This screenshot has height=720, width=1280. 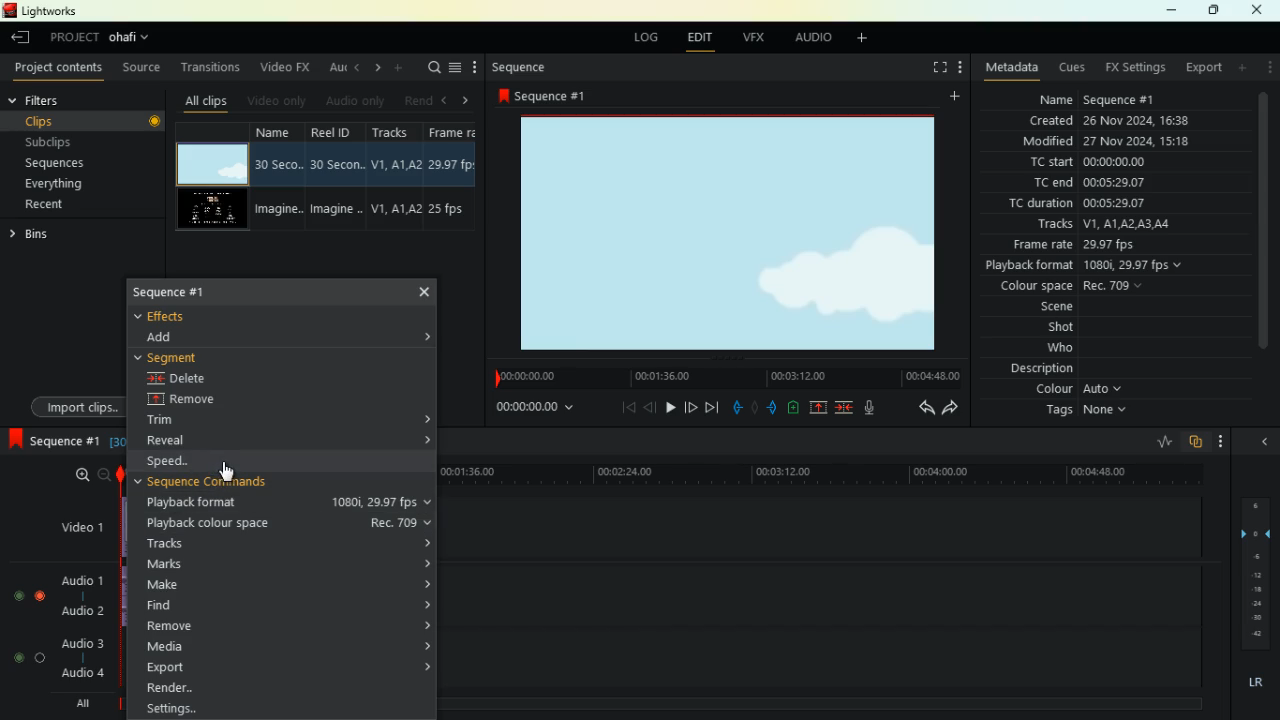 I want to click on tracks, so click(x=396, y=177).